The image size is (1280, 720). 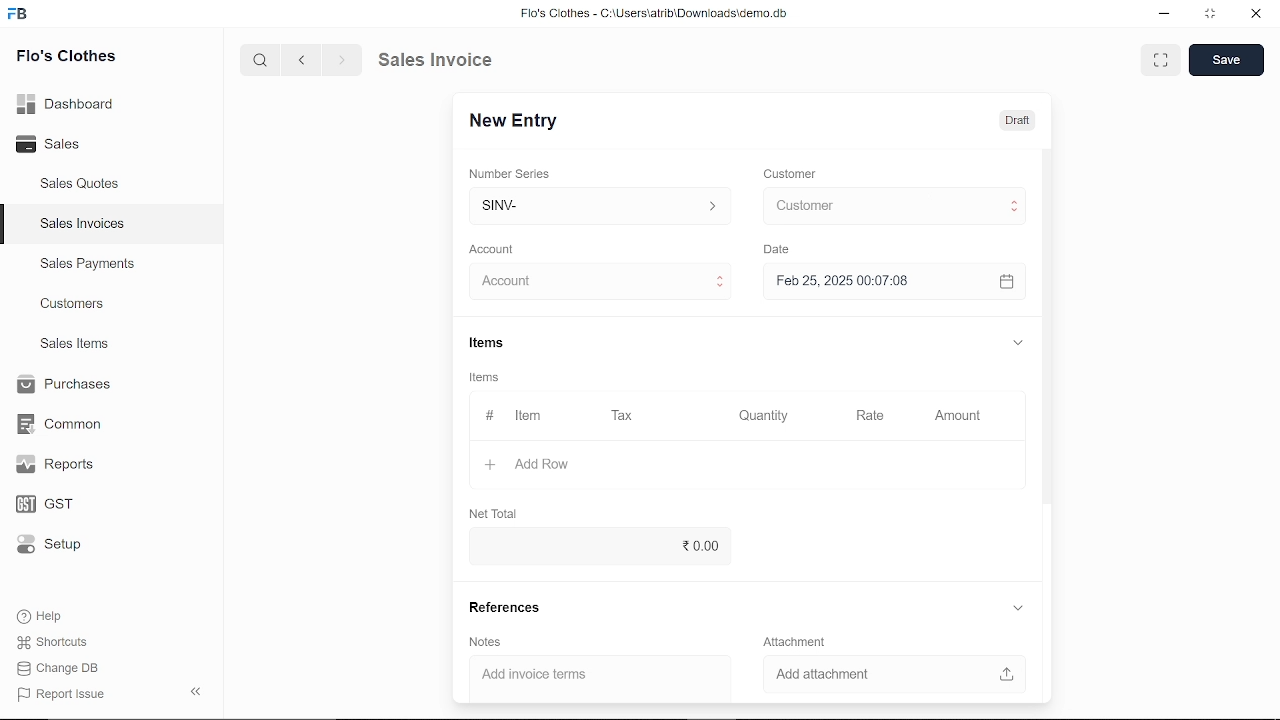 What do you see at coordinates (20, 17) in the screenshot?
I see `frappe books logo` at bounding box center [20, 17].